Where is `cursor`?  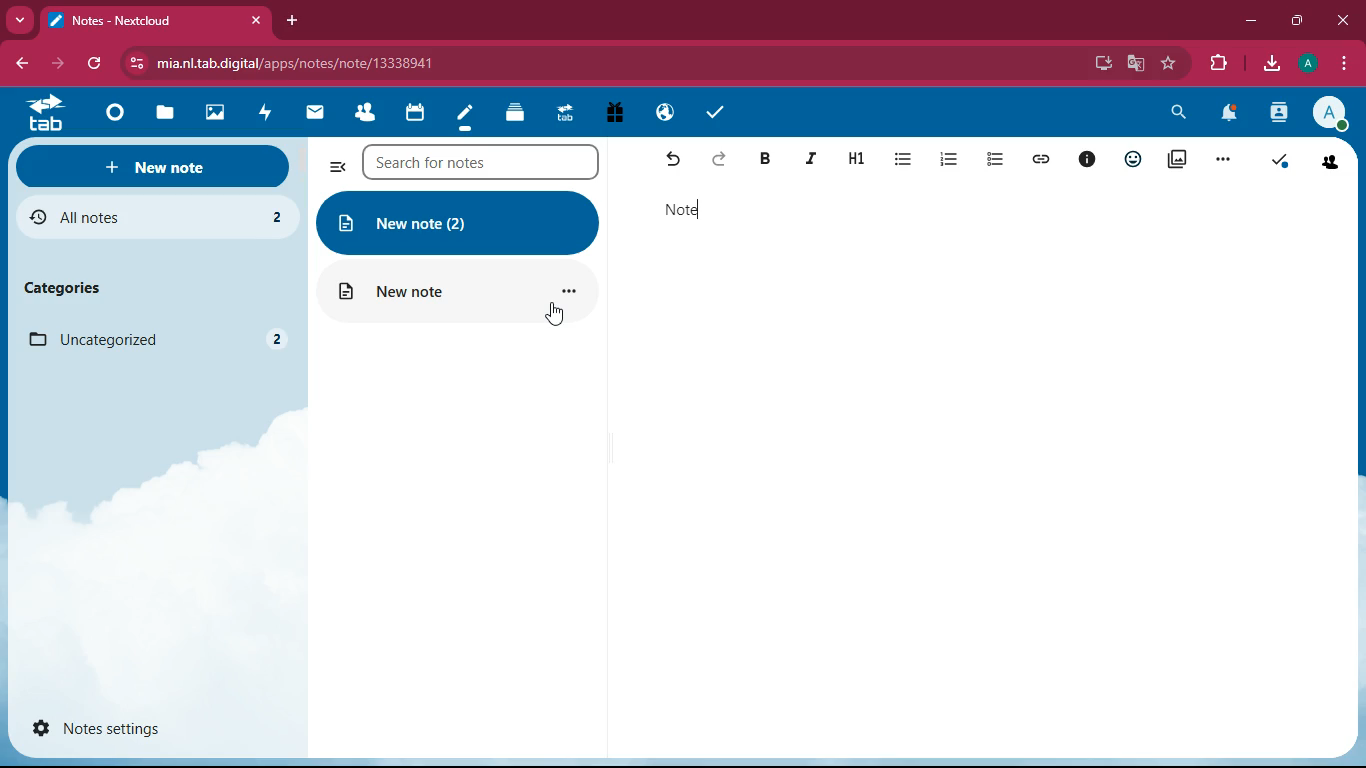 cursor is located at coordinates (556, 316).